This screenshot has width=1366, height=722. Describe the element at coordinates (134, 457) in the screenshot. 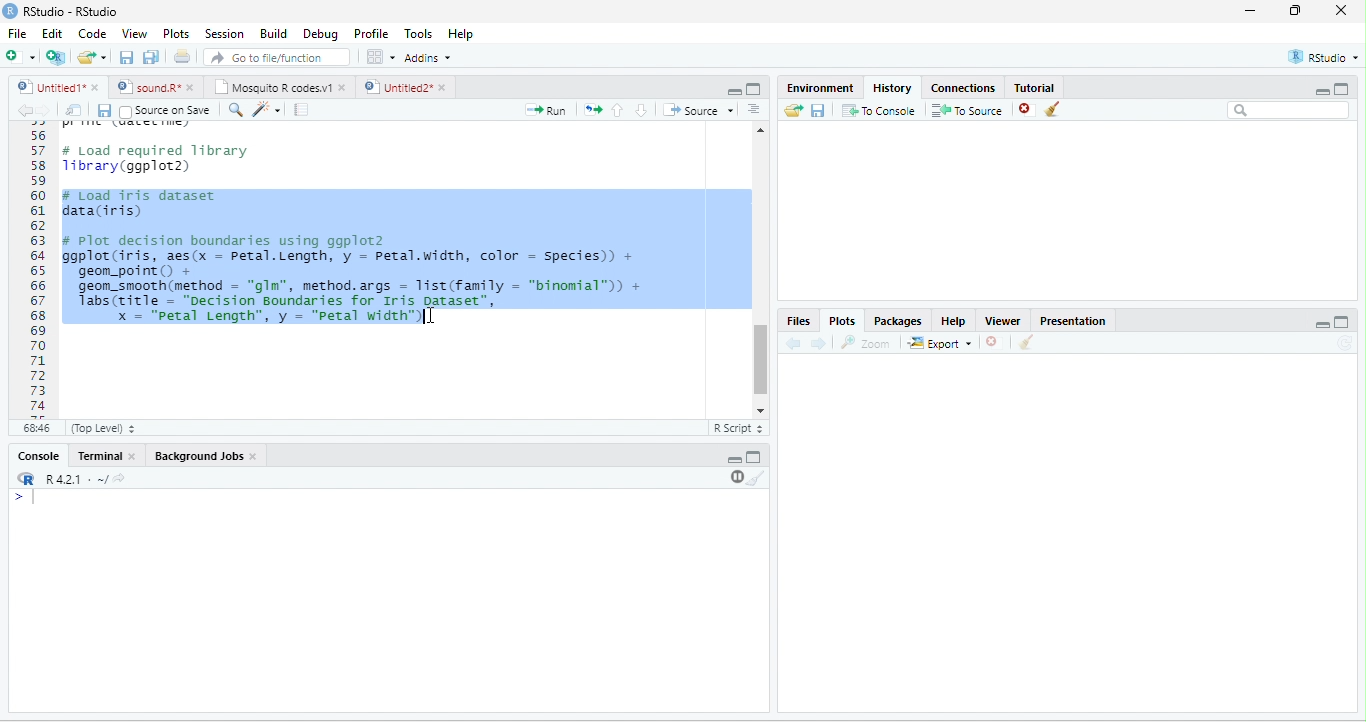

I see `close` at that location.